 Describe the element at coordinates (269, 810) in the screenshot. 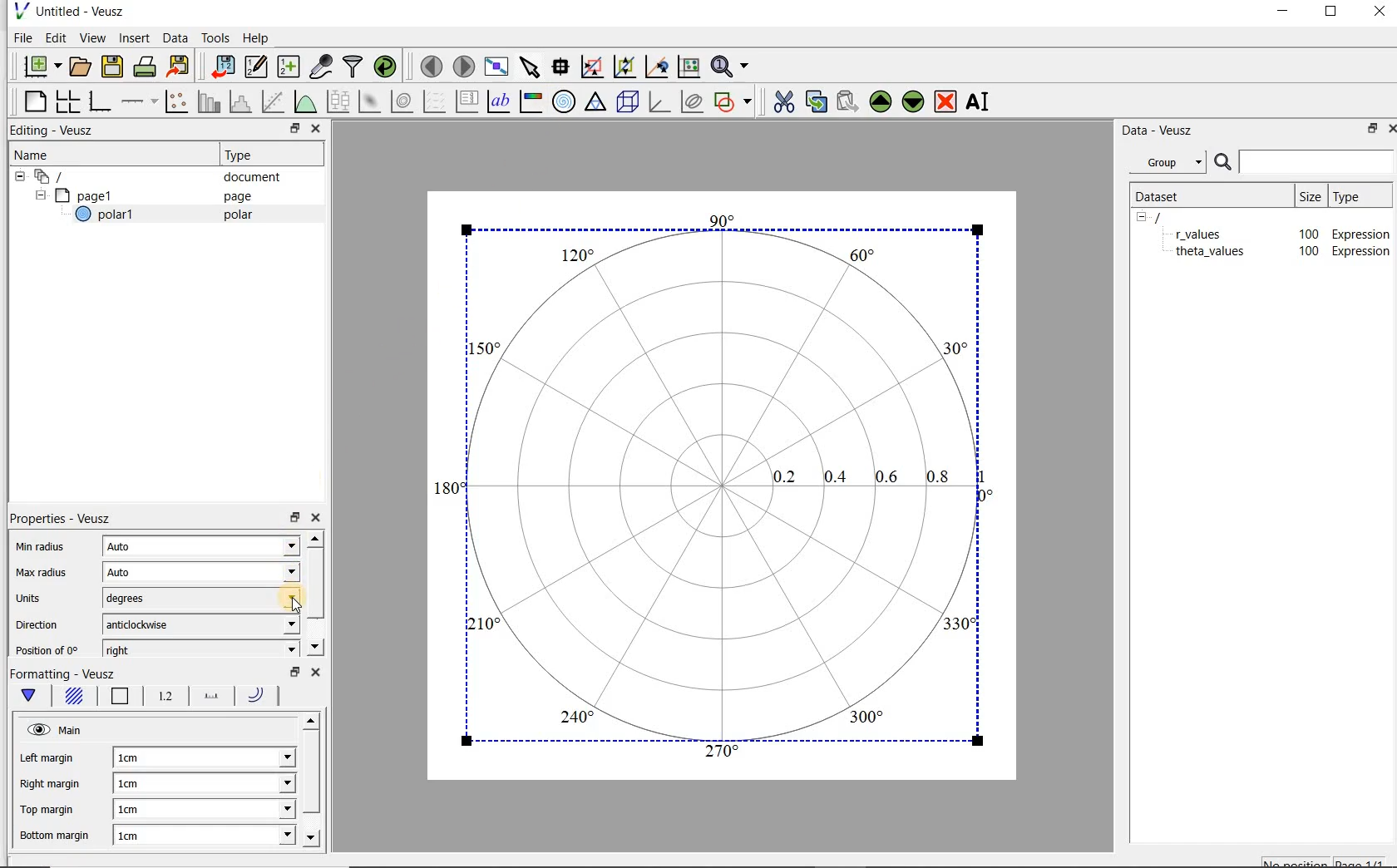

I see `Top margin dropdown` at that location.